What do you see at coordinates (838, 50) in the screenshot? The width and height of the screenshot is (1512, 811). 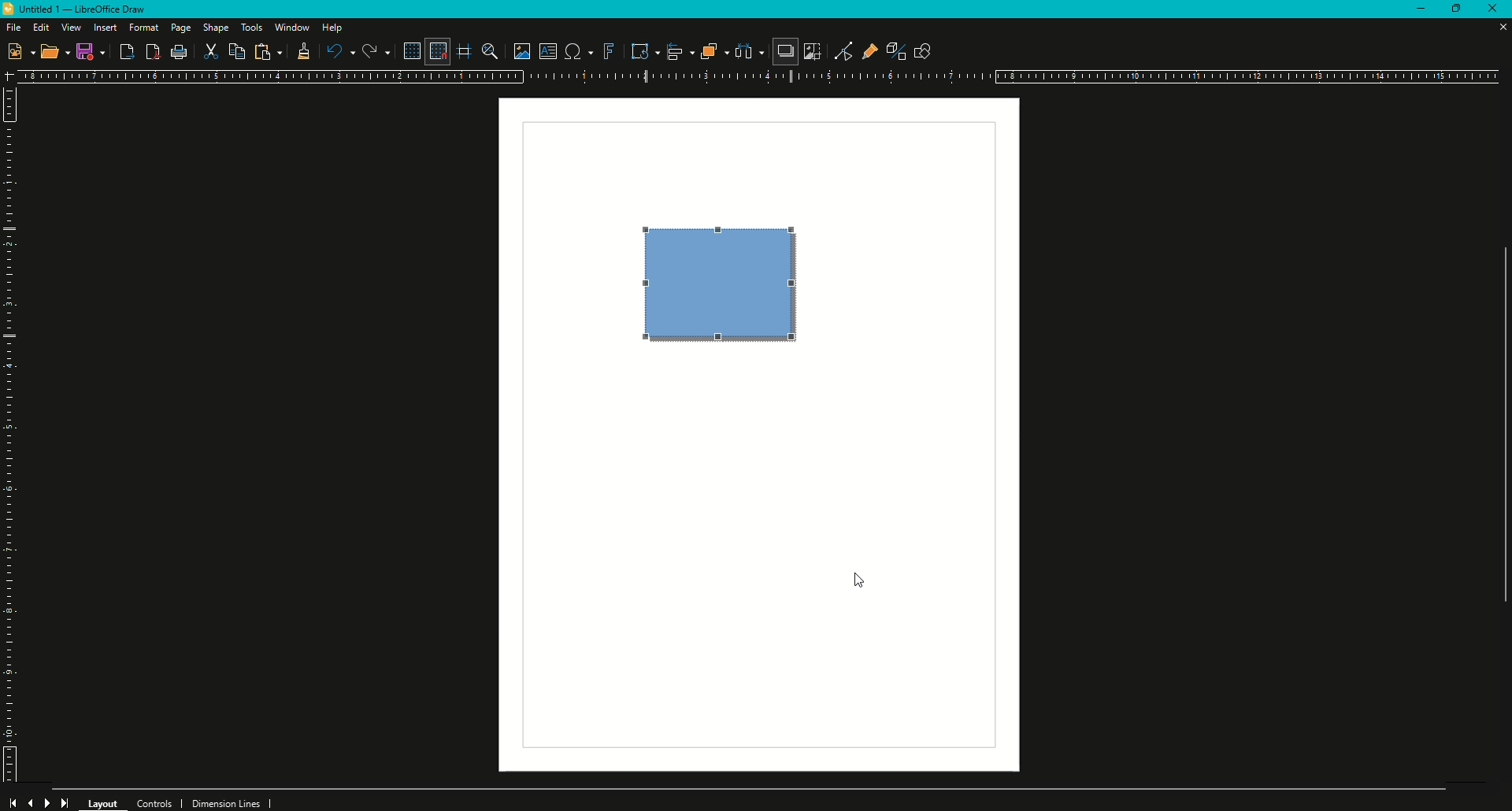 I see `Toggle Point Edit Mode` at bounding box center [838, 50].